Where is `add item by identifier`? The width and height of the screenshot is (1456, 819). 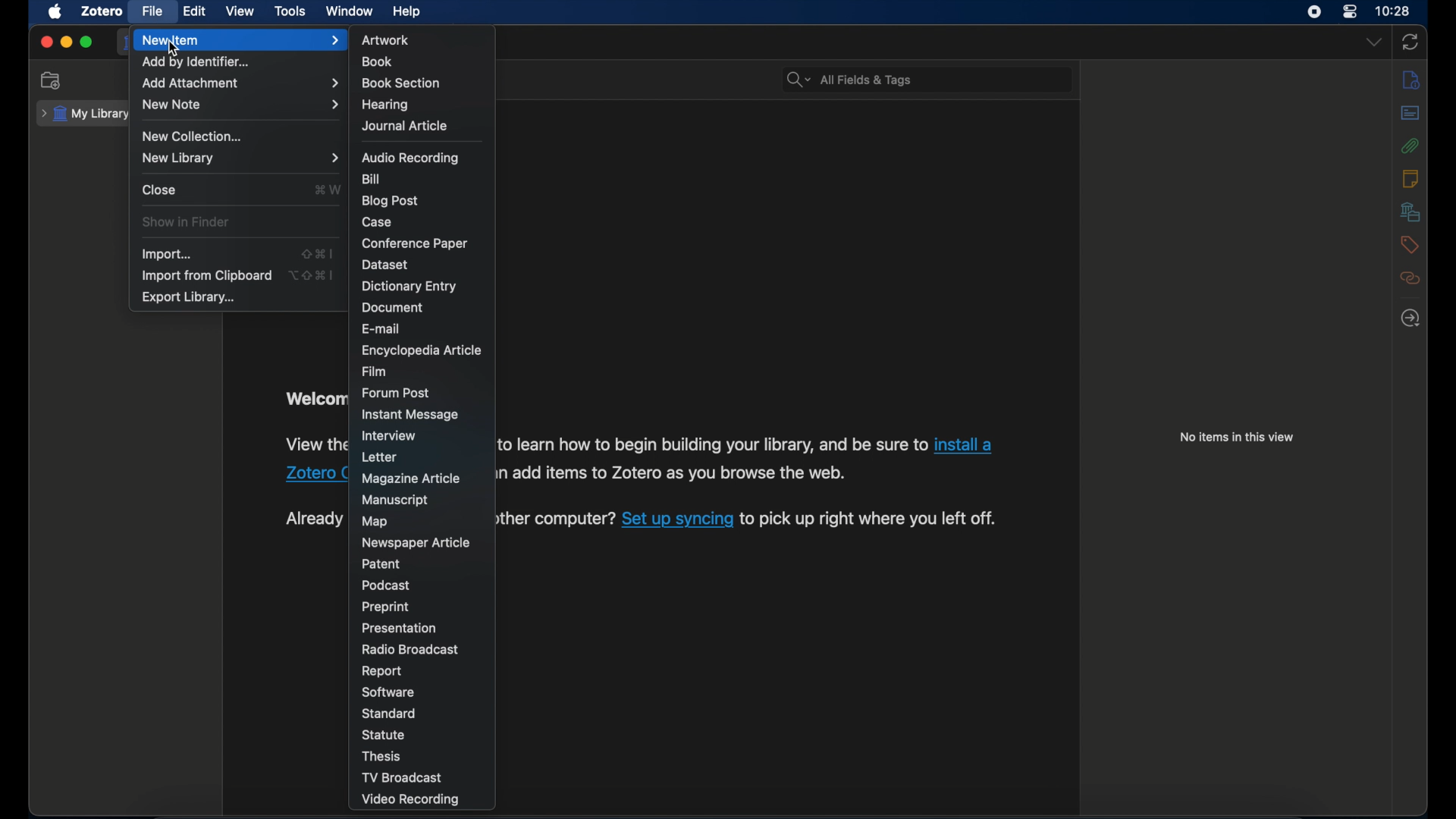 add item by identifier is located at coordinates (197, 63).